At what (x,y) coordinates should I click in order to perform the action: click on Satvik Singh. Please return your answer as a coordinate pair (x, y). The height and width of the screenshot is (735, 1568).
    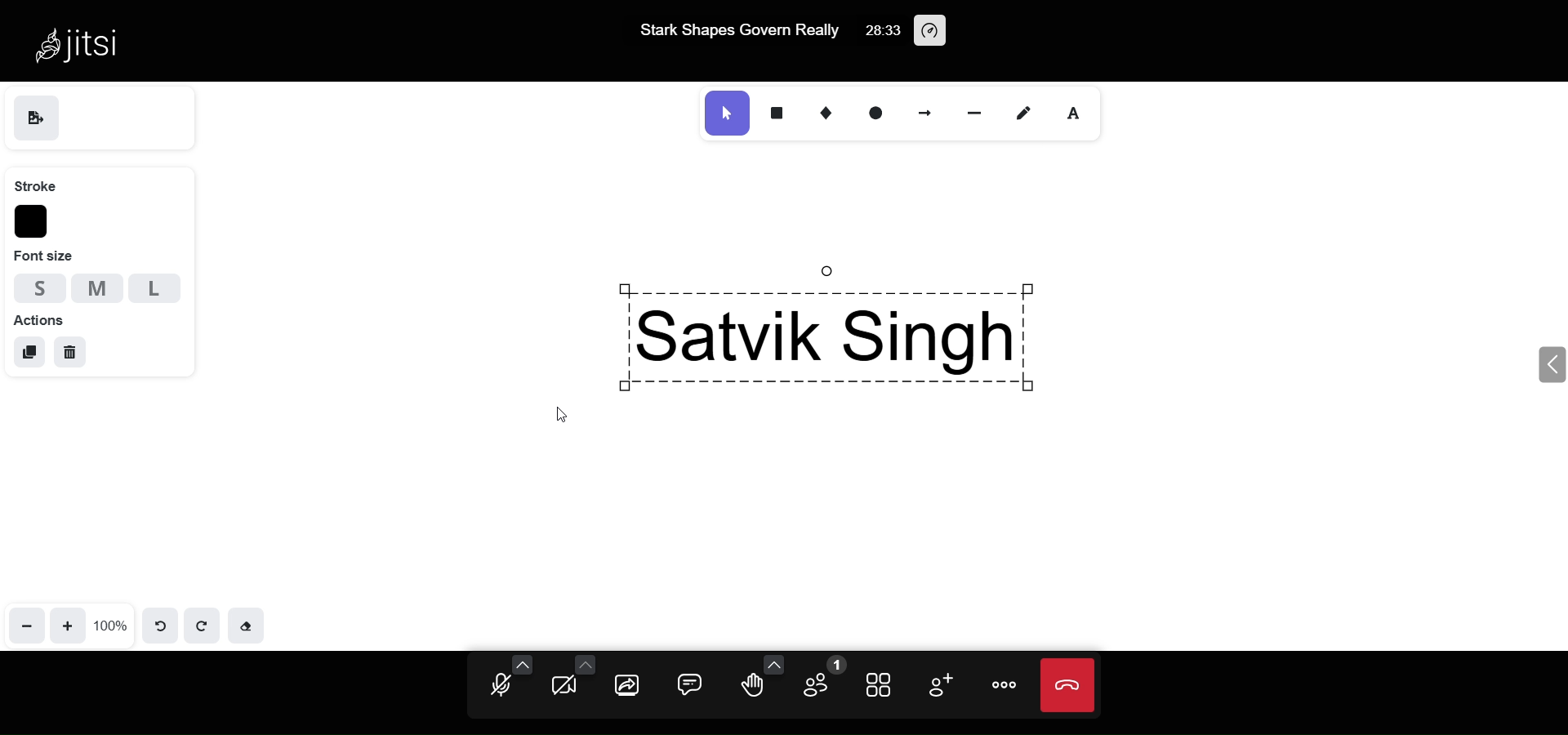
    Looking at the image, I should click on (888, 318).